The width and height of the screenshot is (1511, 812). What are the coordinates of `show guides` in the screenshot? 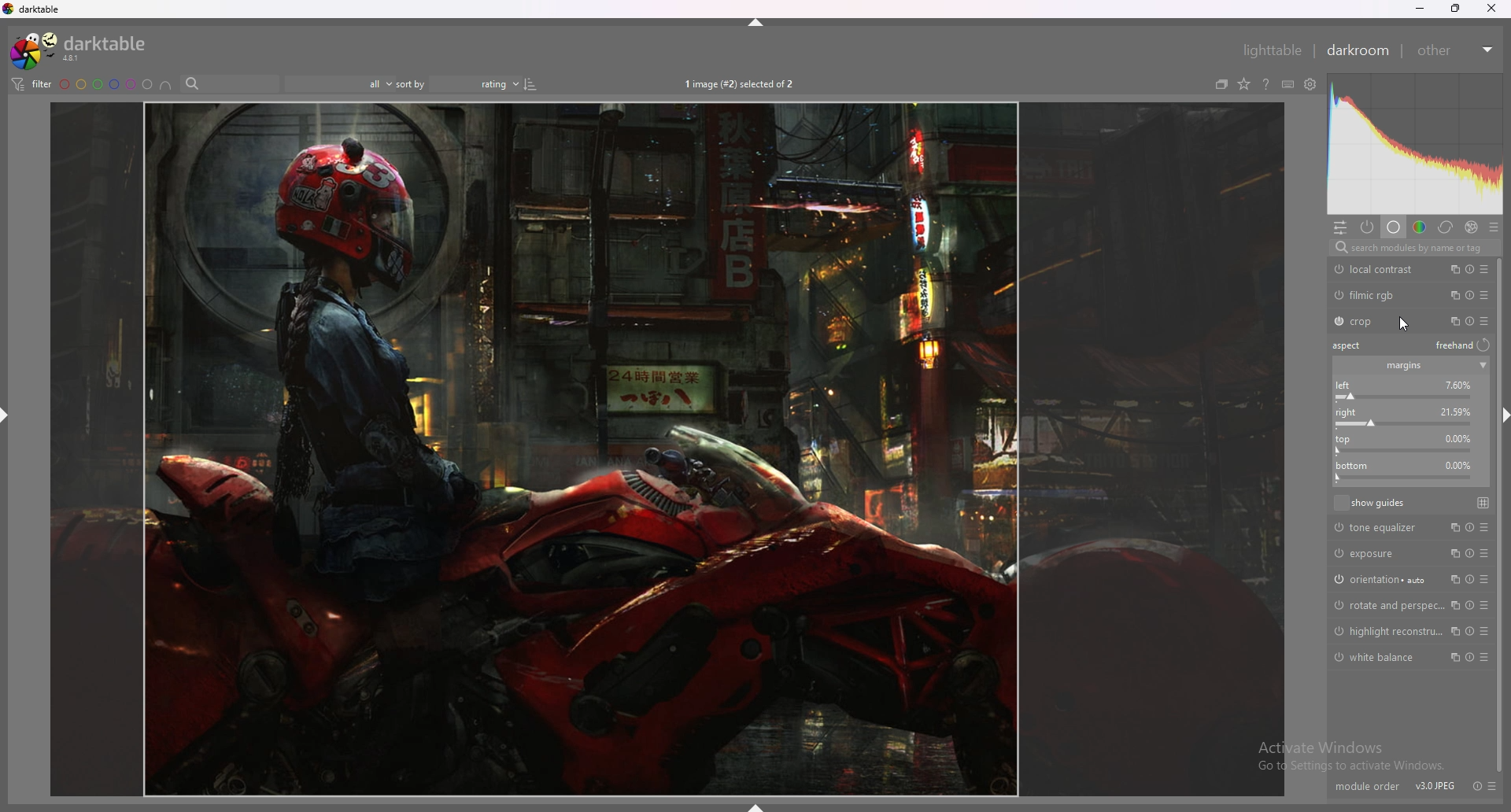 It's located at (1370, 502).